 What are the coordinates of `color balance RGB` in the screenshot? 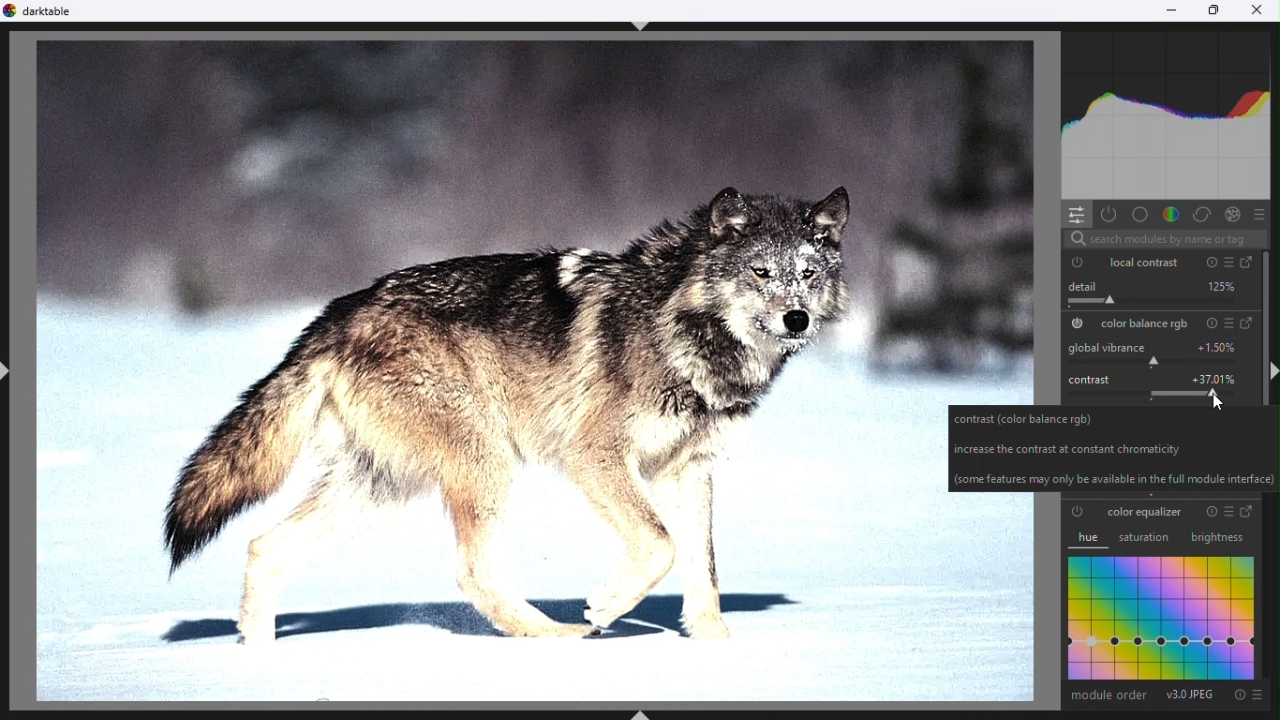 It's located at (1144, 323).